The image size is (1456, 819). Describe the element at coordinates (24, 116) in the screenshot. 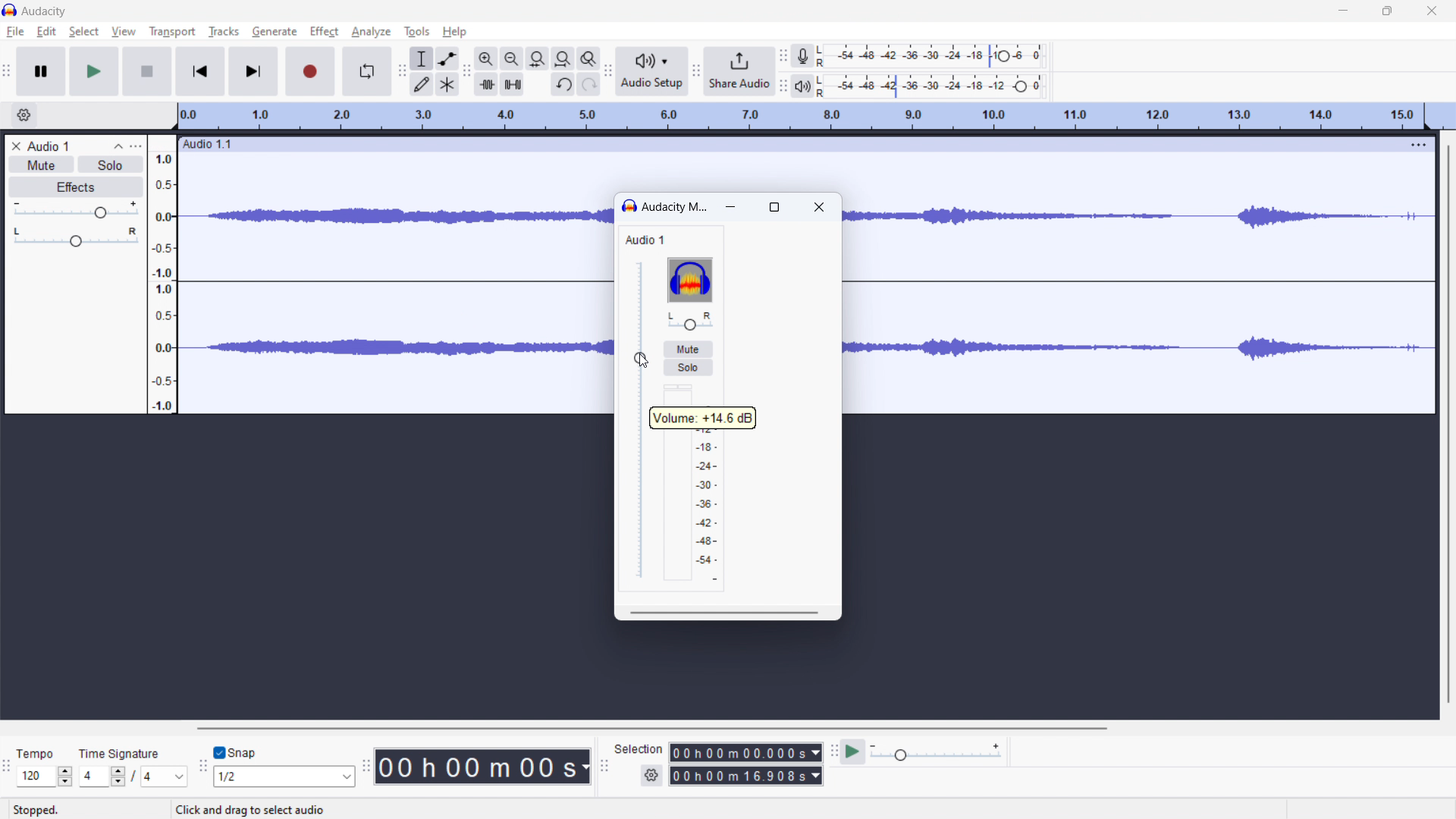

I see `timeline settings` at that location.